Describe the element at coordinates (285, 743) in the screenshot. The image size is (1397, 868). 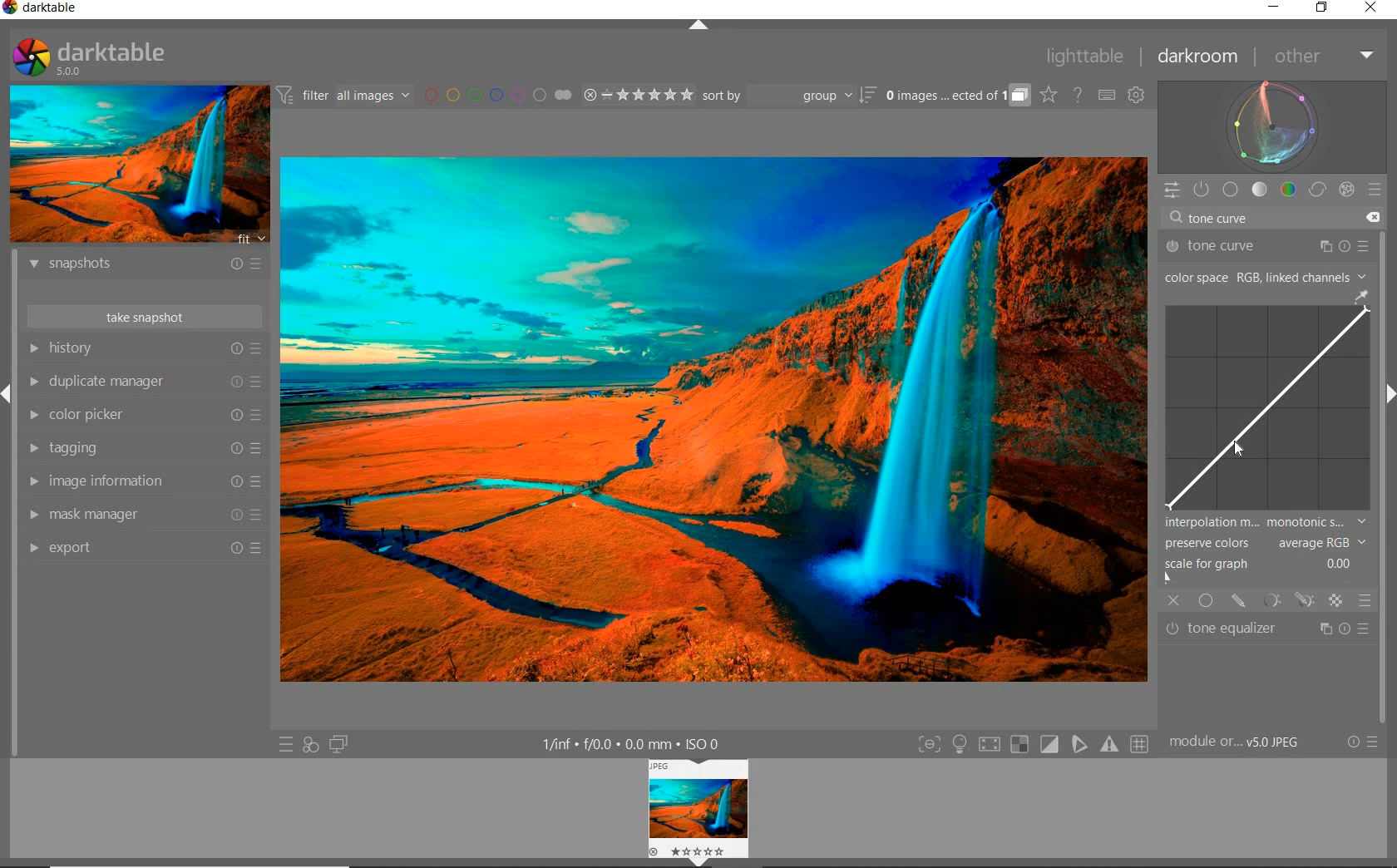
I see `QUICK ACCESS TO PRESET` at that location.